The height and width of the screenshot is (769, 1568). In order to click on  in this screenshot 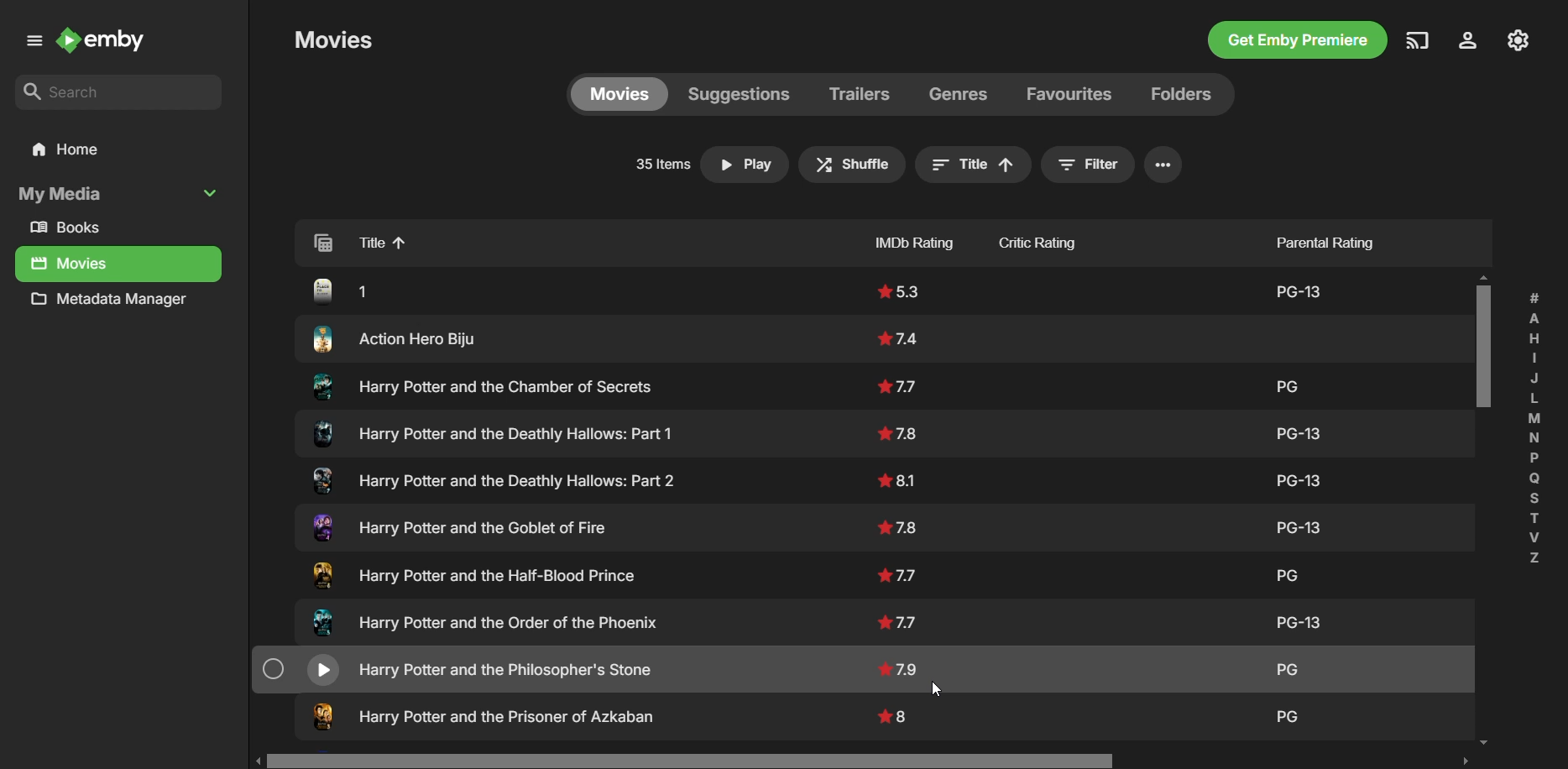, I will do `click(901, 525)`.